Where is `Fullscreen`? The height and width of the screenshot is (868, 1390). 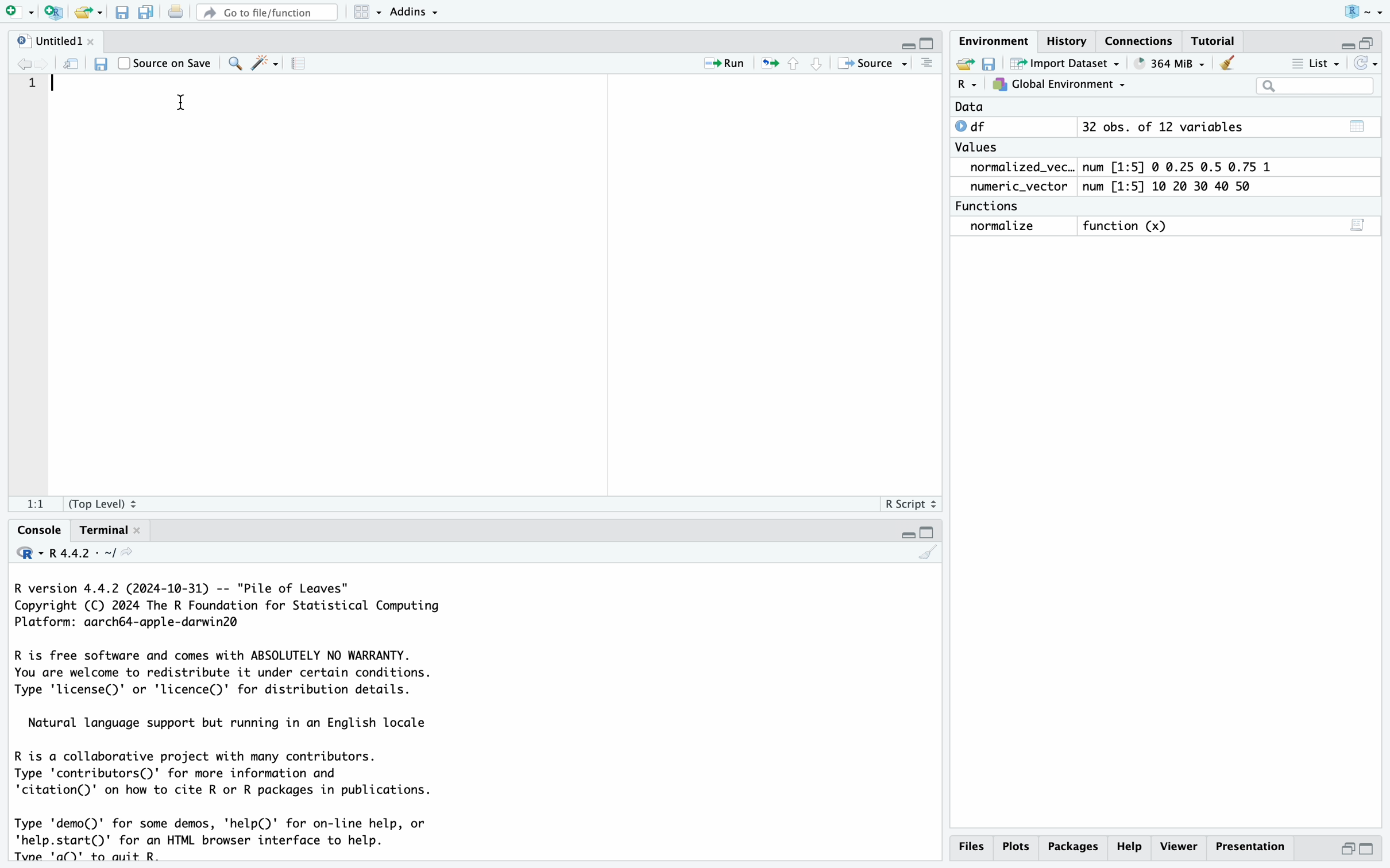 Fullscreen is located at coordinates (914, 533).